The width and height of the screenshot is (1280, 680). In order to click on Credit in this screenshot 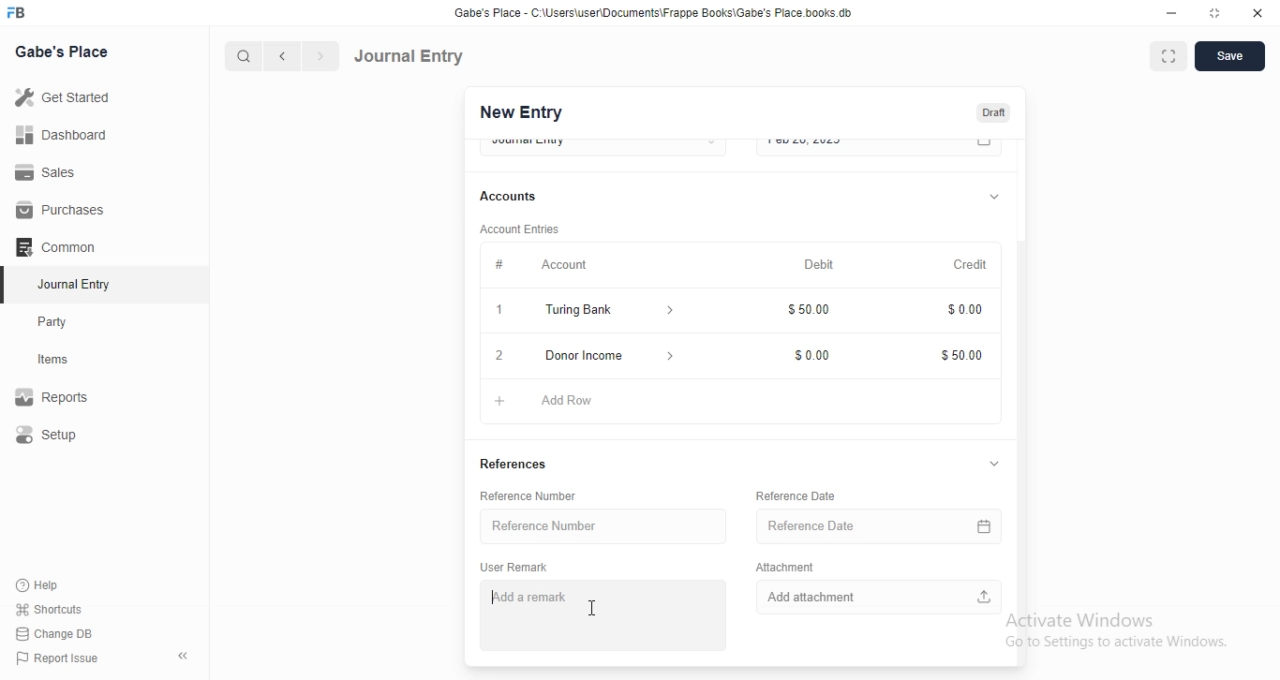, I will do `click(972, 265)`.